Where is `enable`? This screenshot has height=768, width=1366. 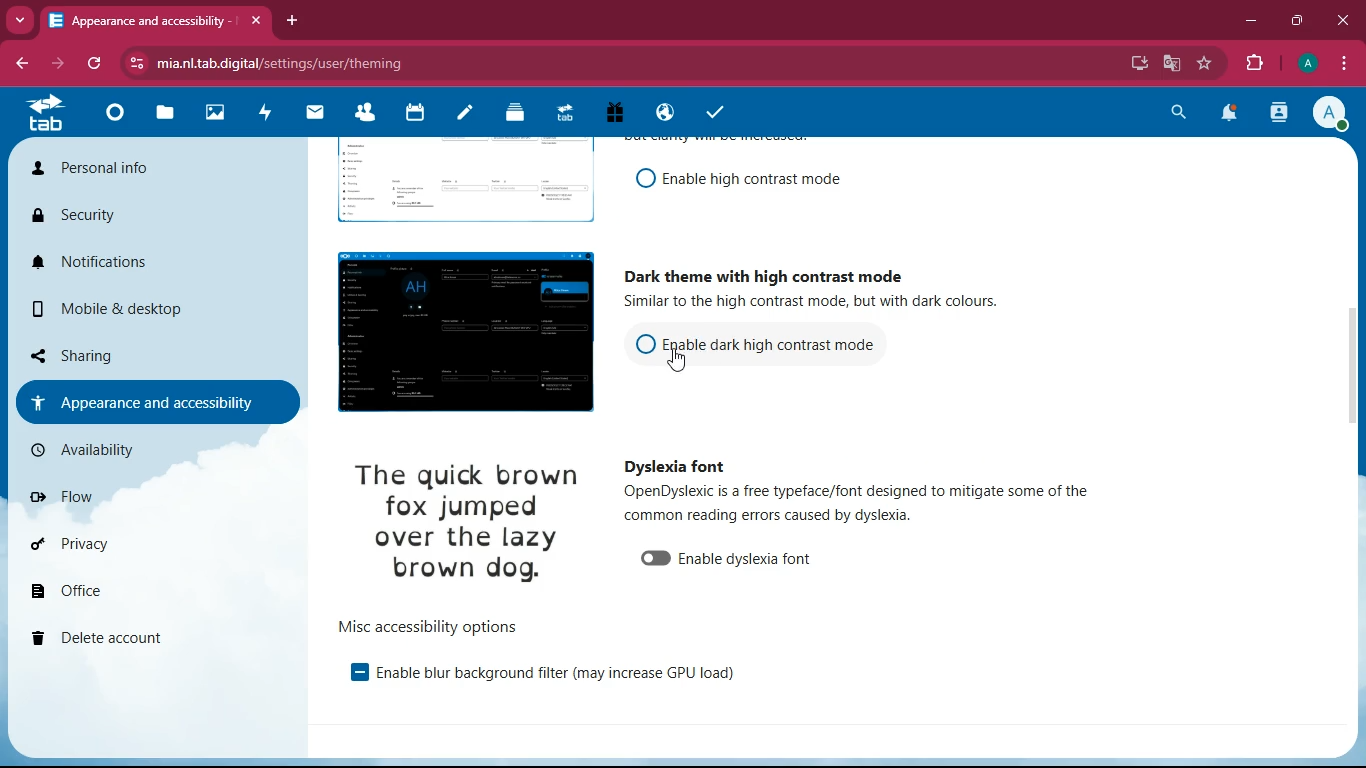 enable is located at coordinates (348, 673).